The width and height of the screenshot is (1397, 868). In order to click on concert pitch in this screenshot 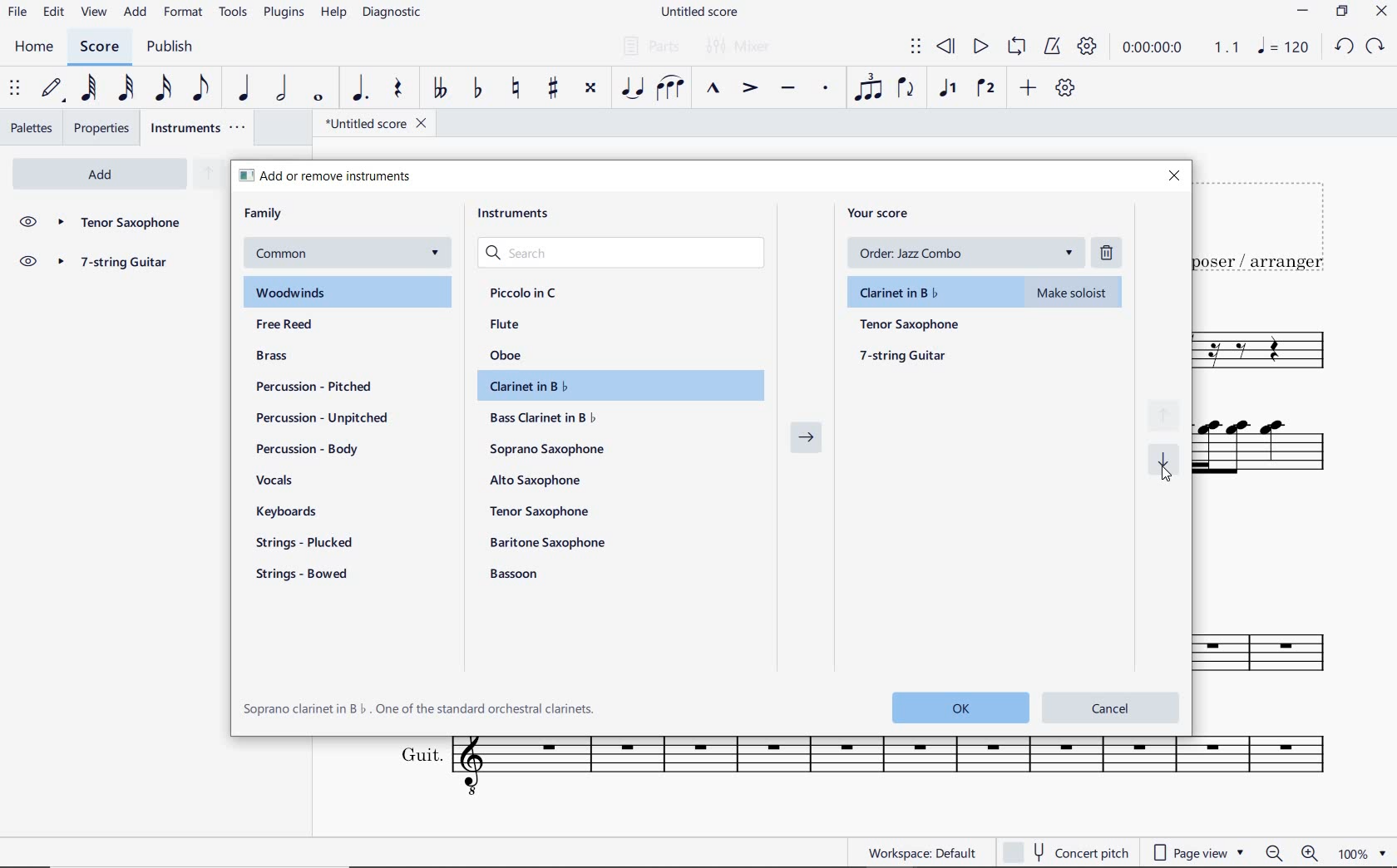, I will do `click(1065, 852)`.